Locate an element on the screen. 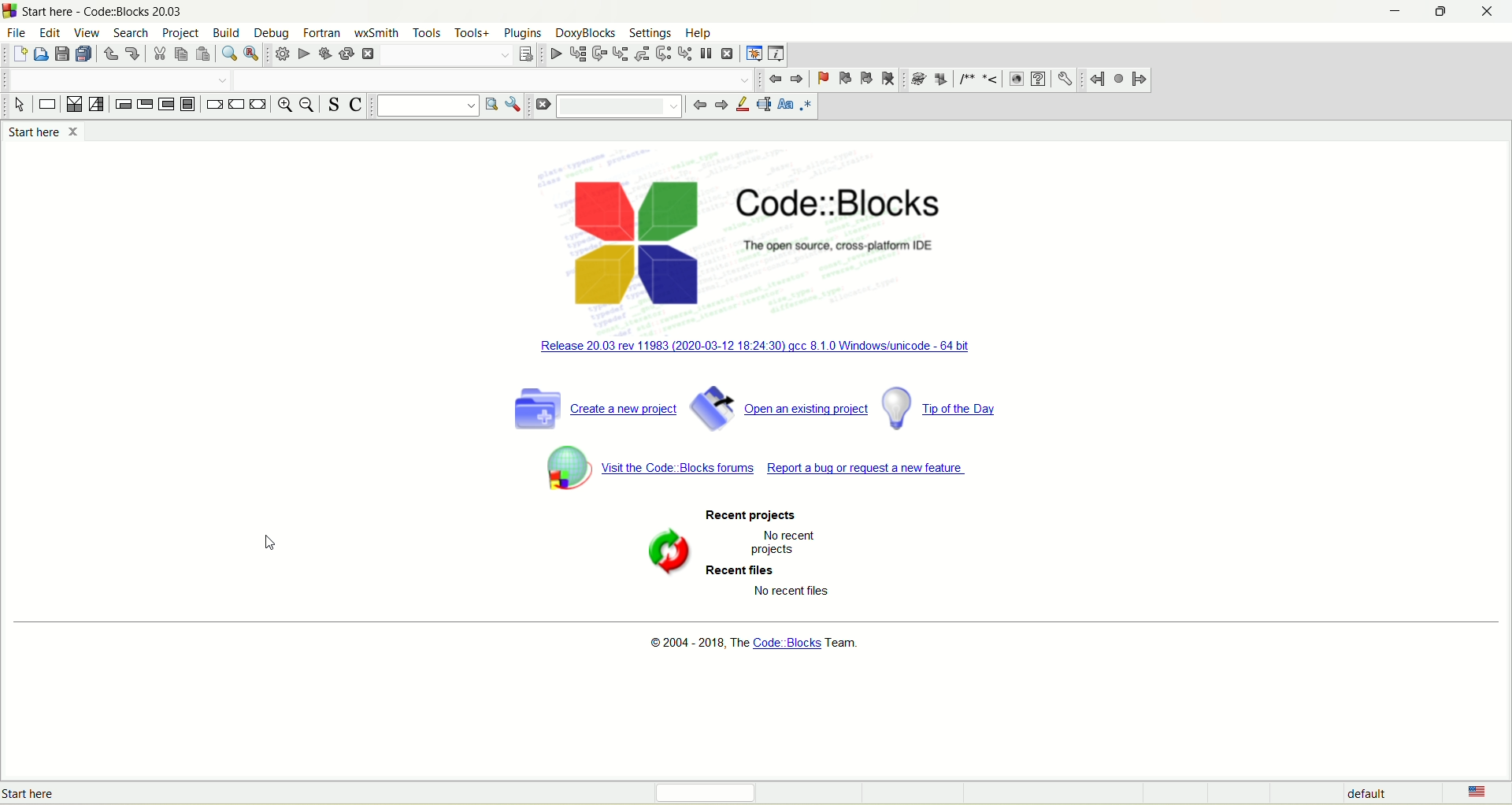  build and run is located at coordinates (324, 54).